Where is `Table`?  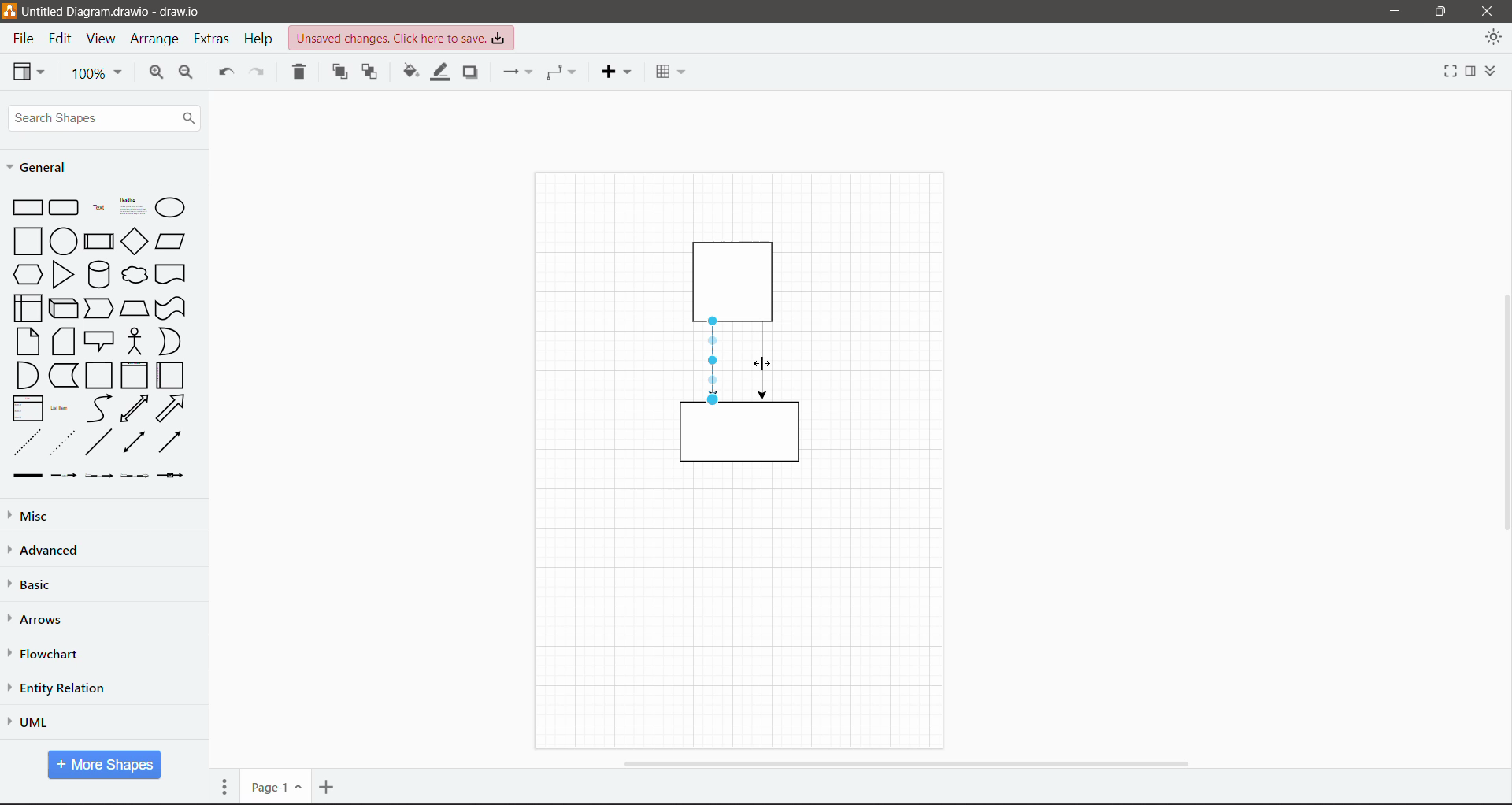
Table is located at coordinates (669, 69).